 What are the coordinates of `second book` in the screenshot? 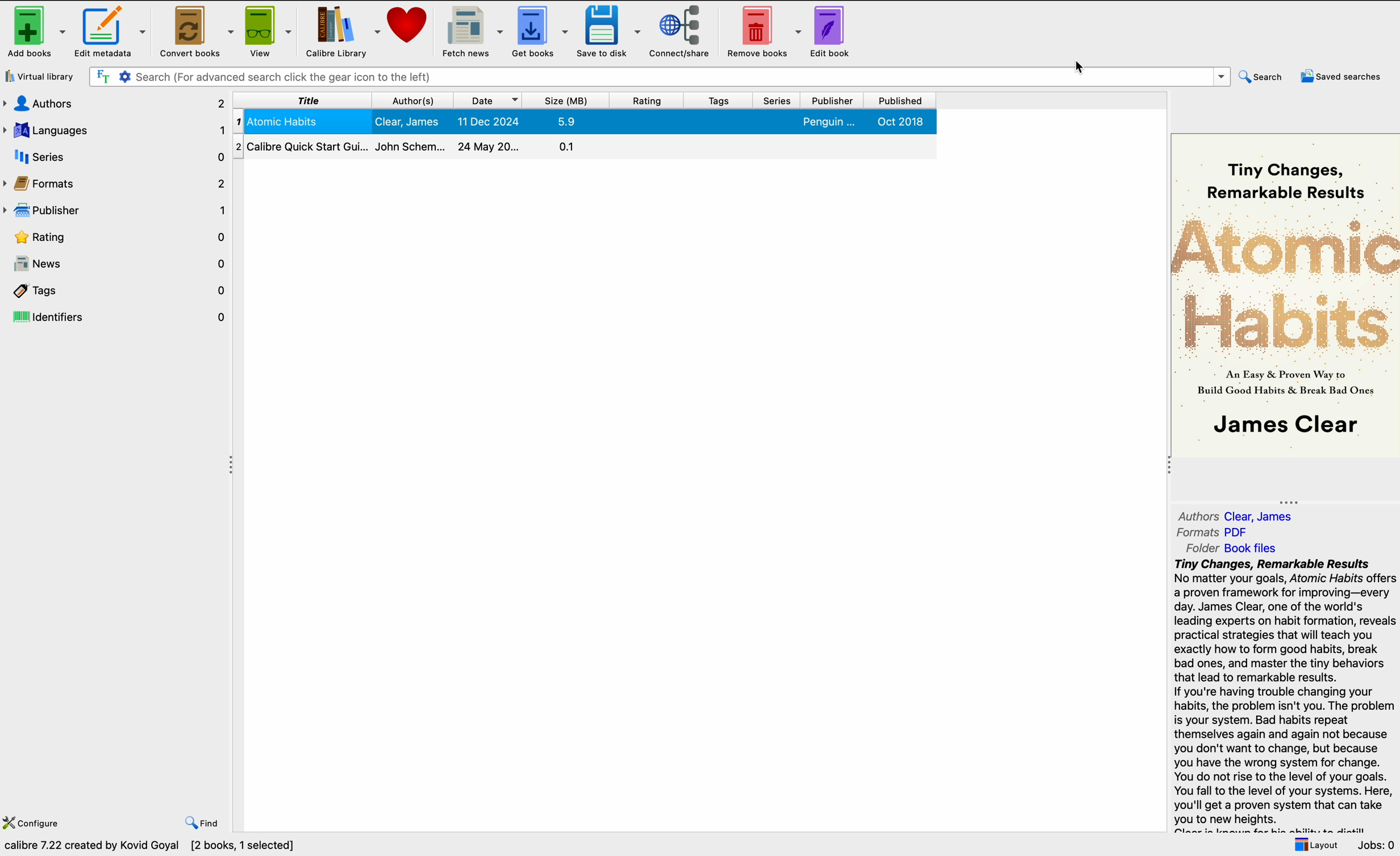 It's located at (585, 147).